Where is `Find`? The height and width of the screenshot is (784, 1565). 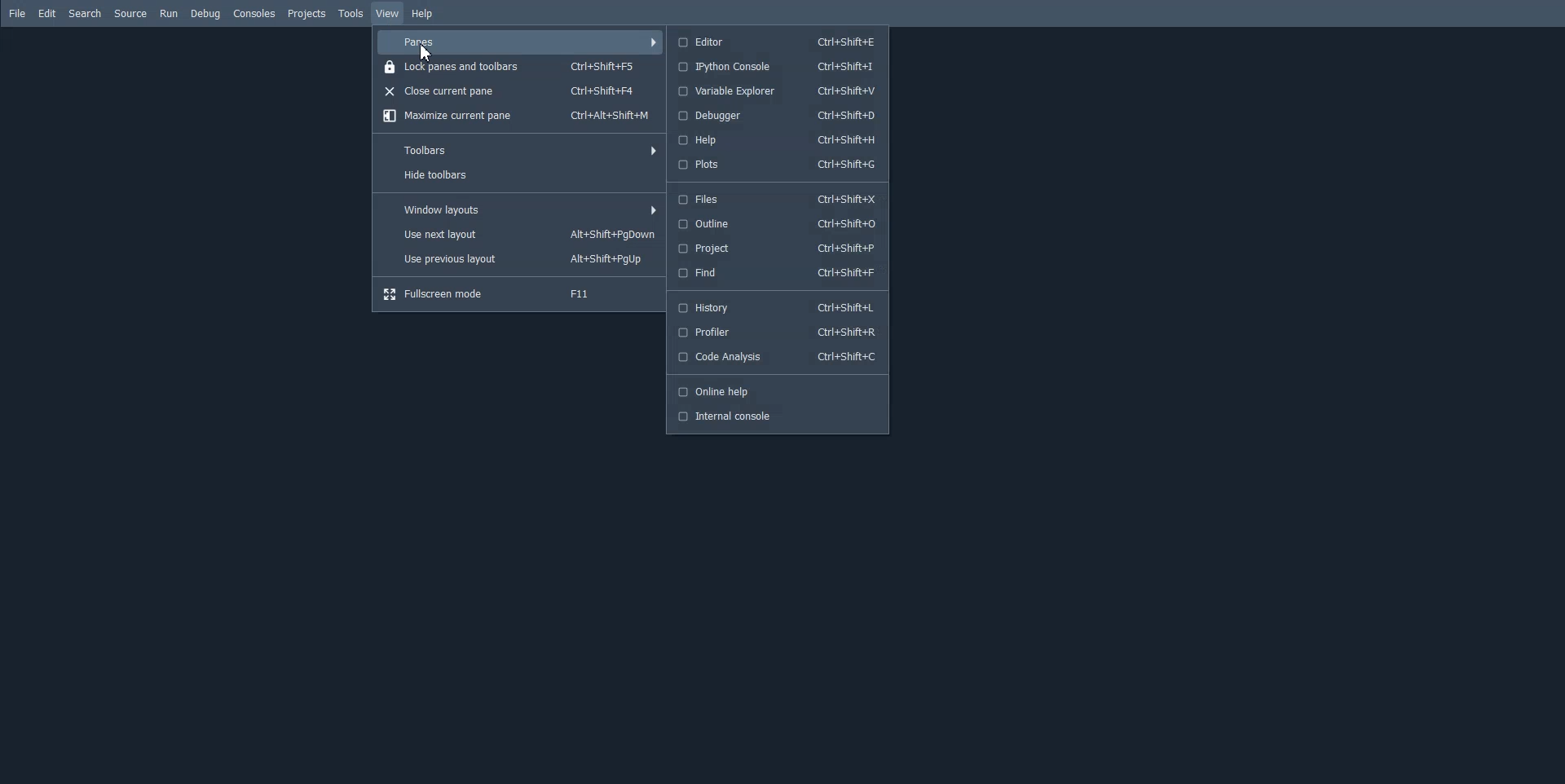 Find is located at coordinates (775, 273).